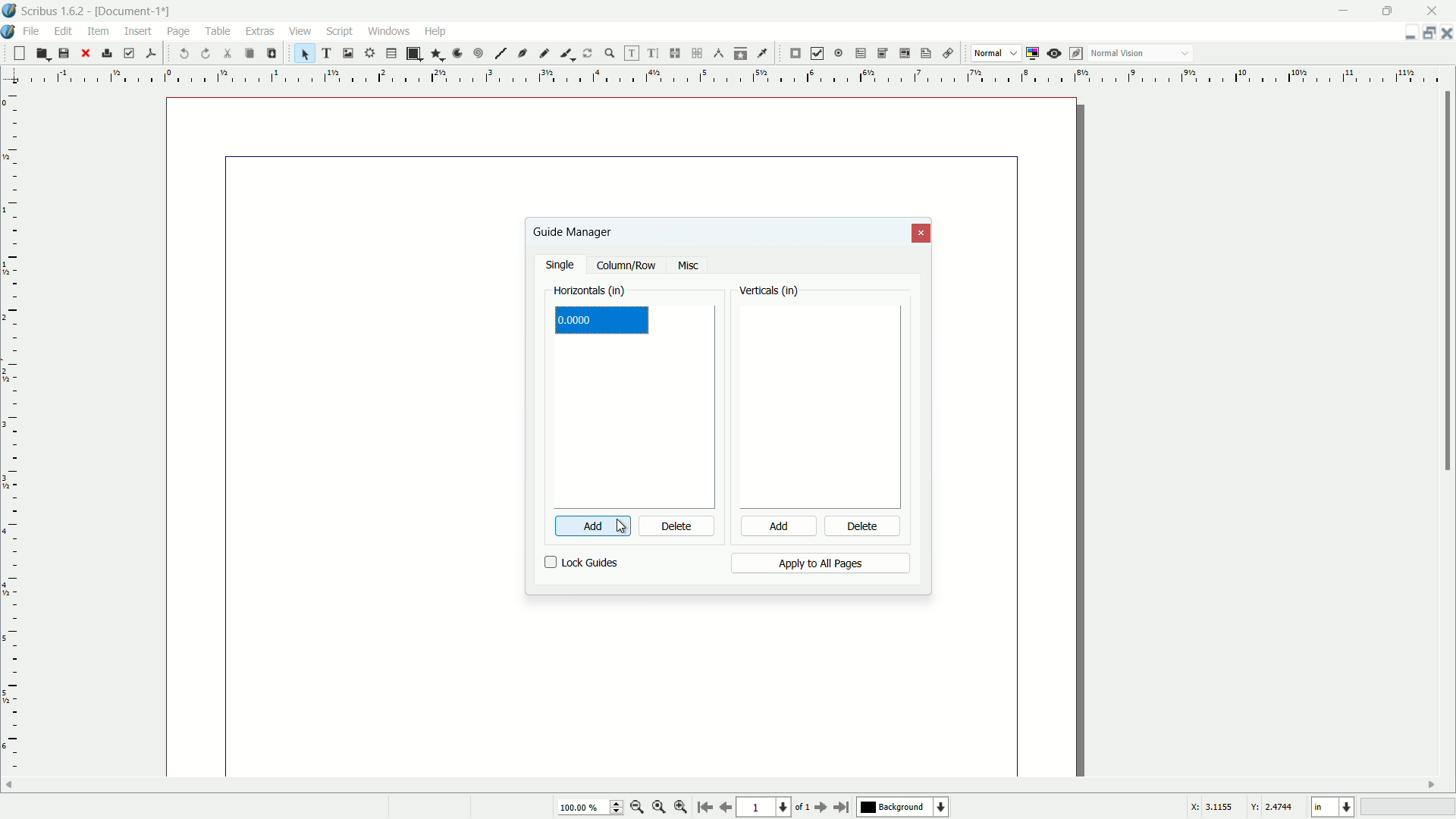 This screenshot has height=819, width=1456. What do you see at coordinates (770, 292) in the screenshot?
I see `verticals` at bounding box center [770, 292].